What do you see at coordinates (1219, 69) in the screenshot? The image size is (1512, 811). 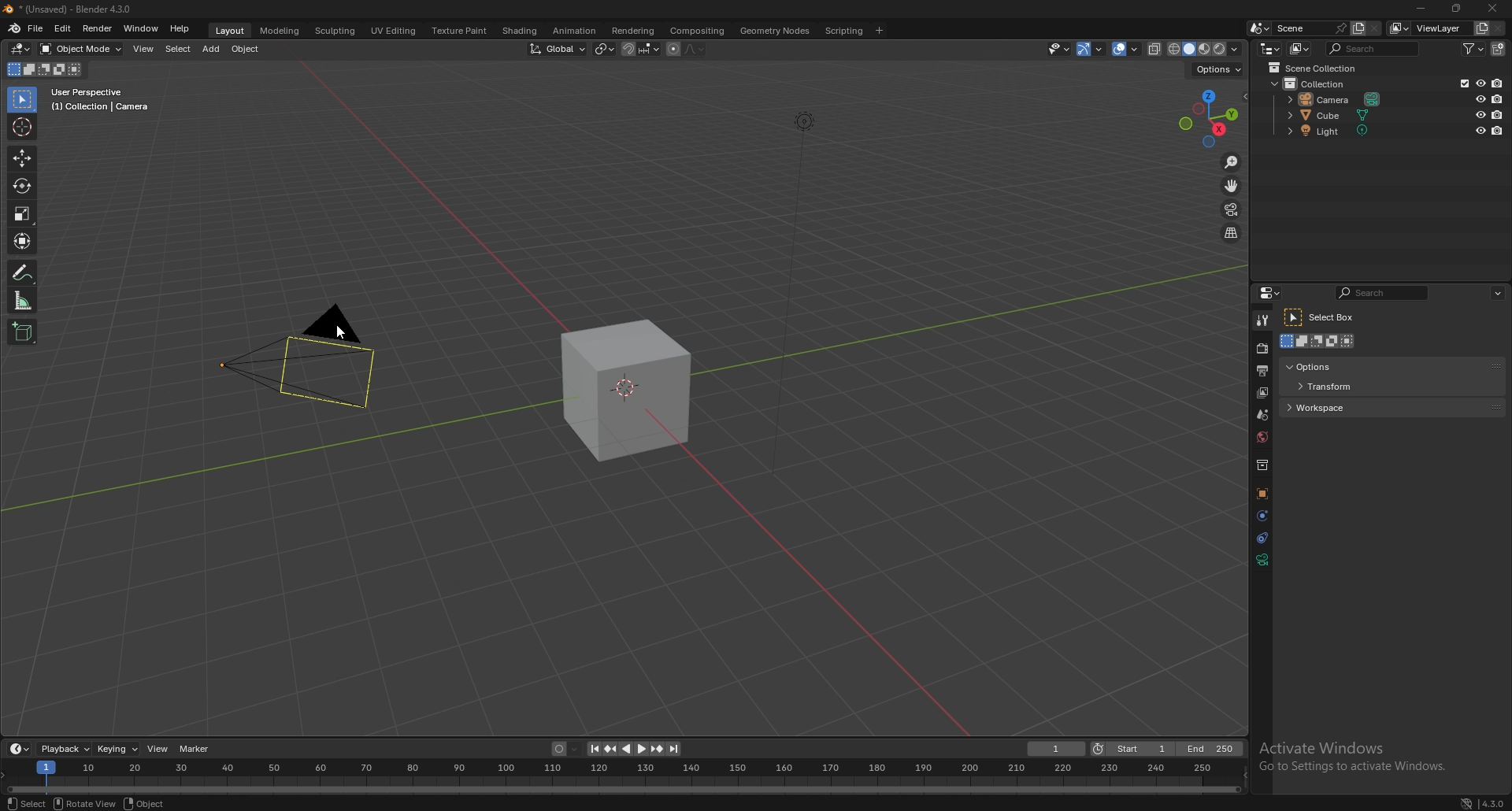 I see `options` at bounding box center [1219, 69].